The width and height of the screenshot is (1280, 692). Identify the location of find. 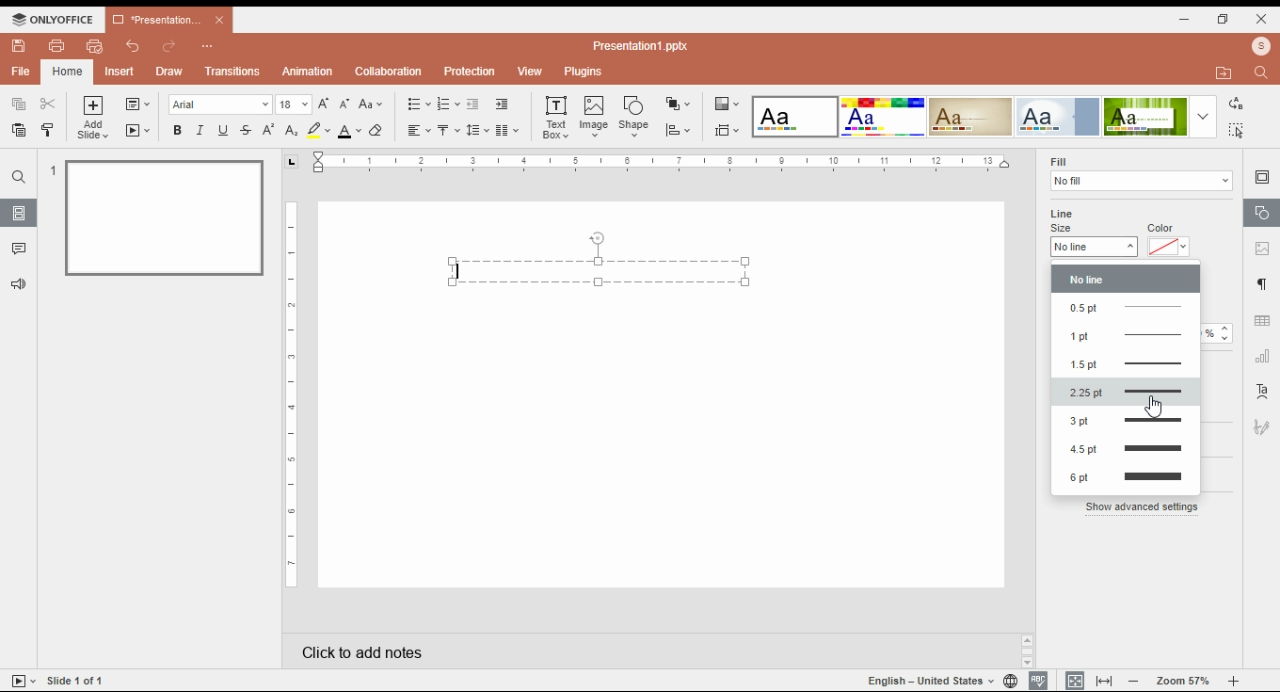
(1260, 74).